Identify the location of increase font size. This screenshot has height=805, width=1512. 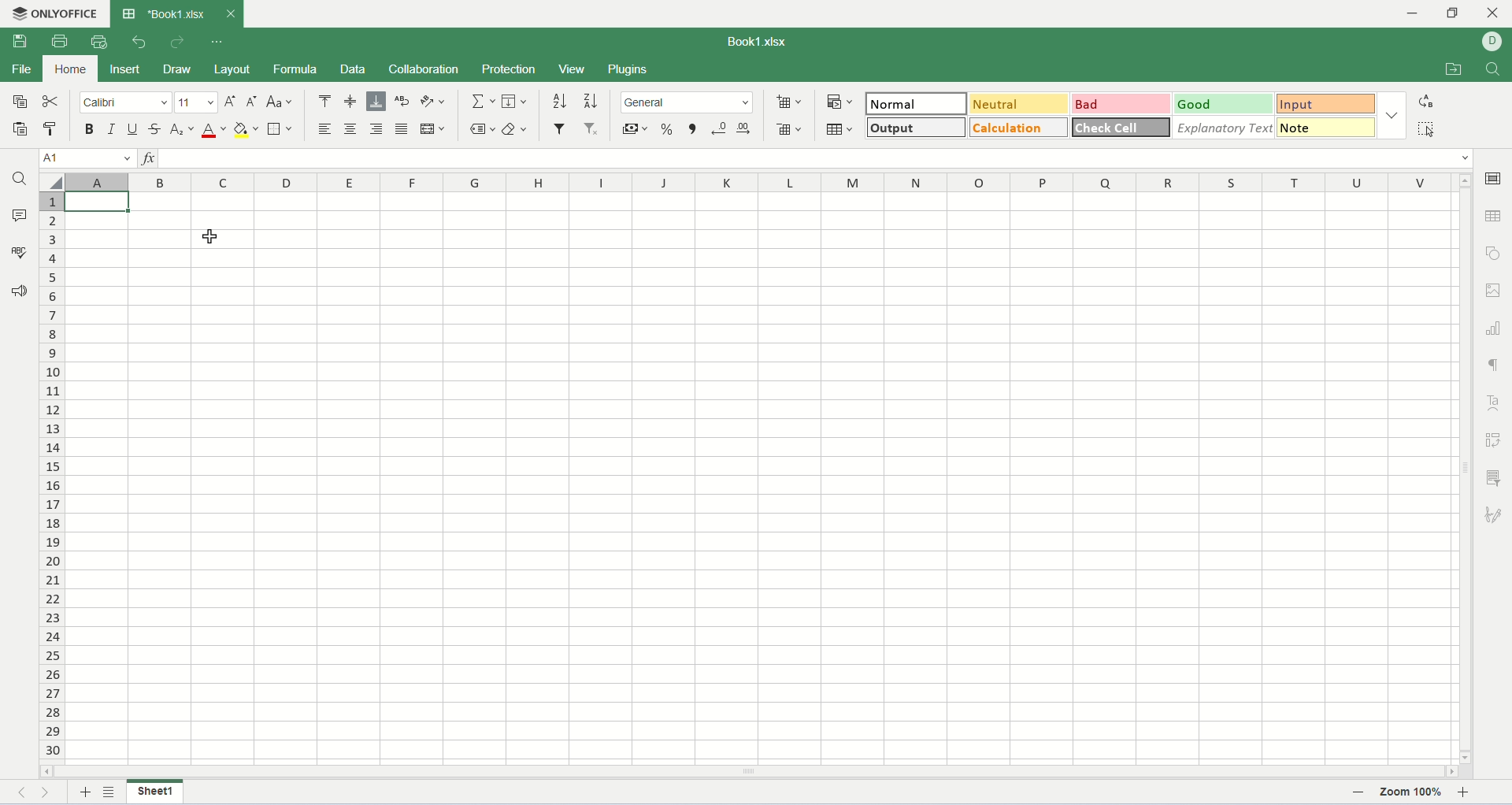
(232, 100).